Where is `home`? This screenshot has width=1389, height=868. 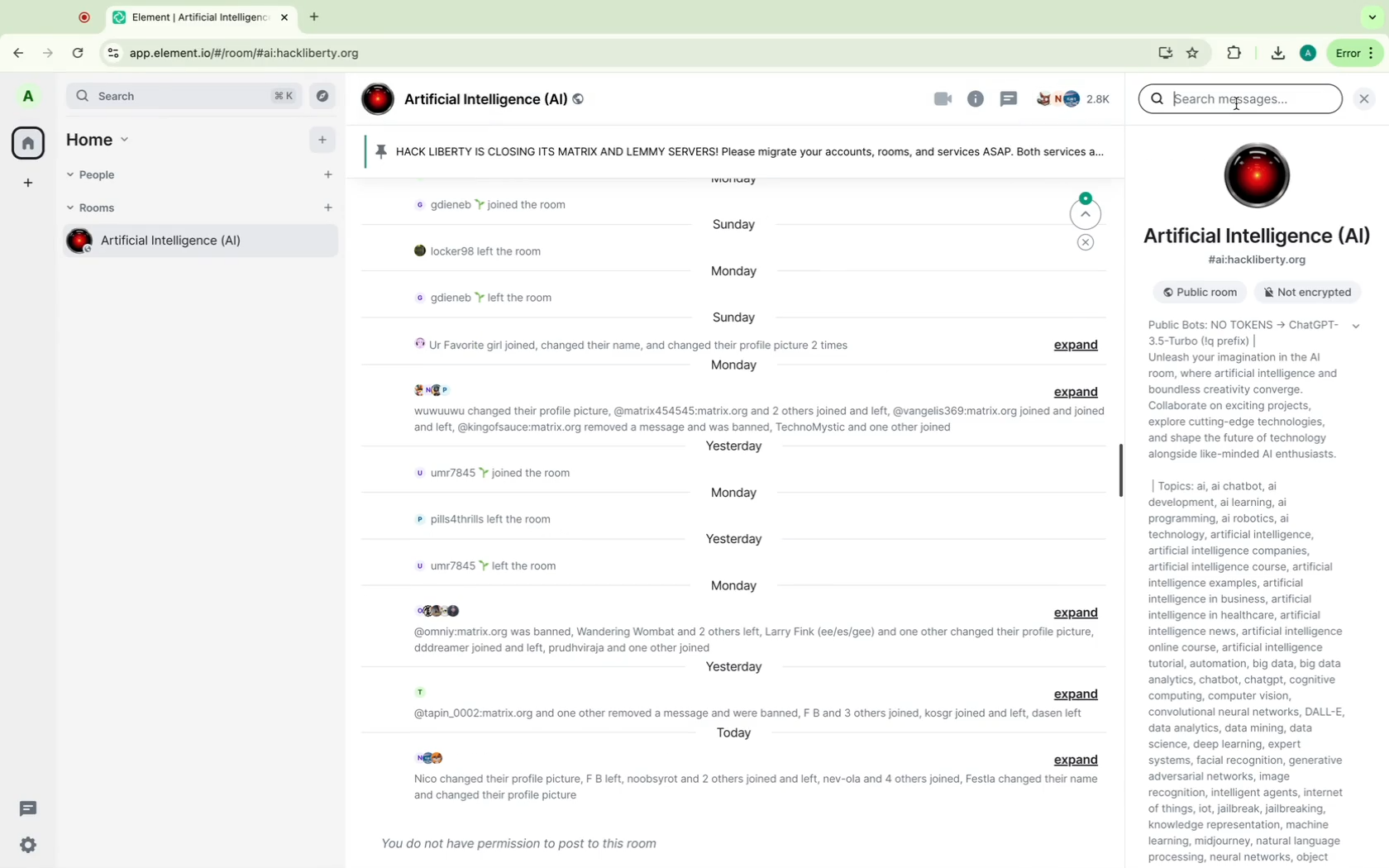
home is located at coordinates (103, 137).